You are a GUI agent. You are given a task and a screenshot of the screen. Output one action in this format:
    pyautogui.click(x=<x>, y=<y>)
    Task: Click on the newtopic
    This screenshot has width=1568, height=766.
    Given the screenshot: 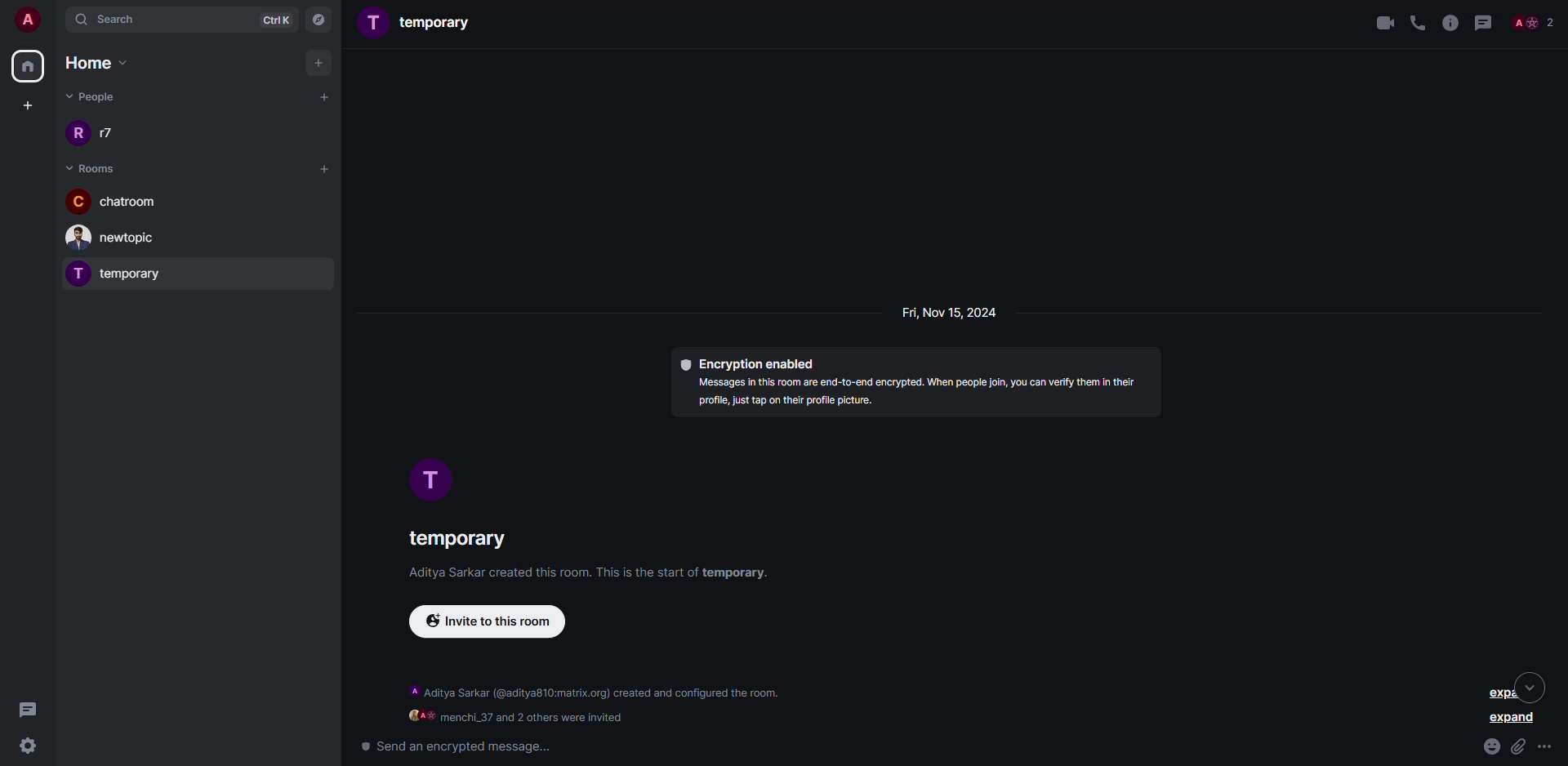 What is the action you would take?
    pyautogui.click(x=118, y=238)
    